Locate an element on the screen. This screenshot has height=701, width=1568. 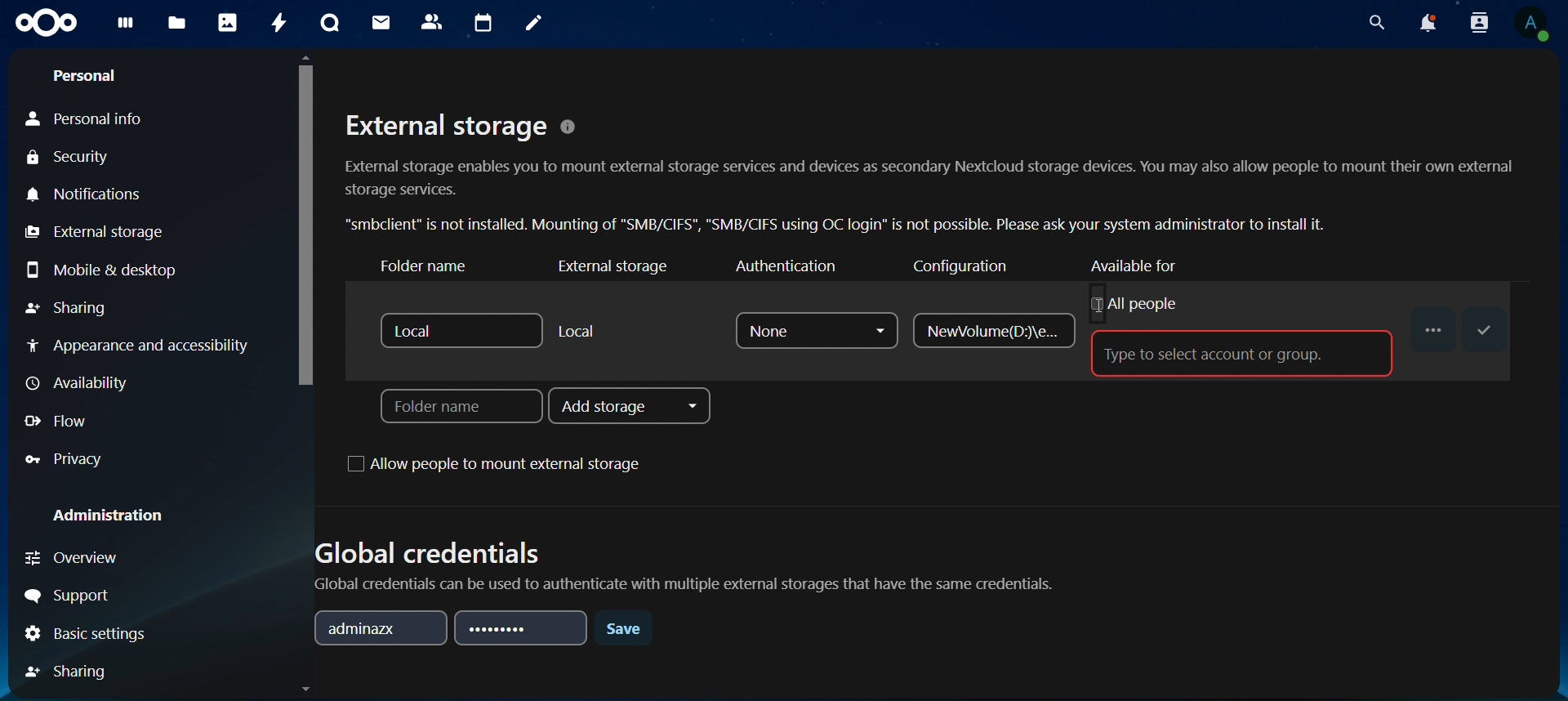
search contacts is located at coordinates (1479, 23).